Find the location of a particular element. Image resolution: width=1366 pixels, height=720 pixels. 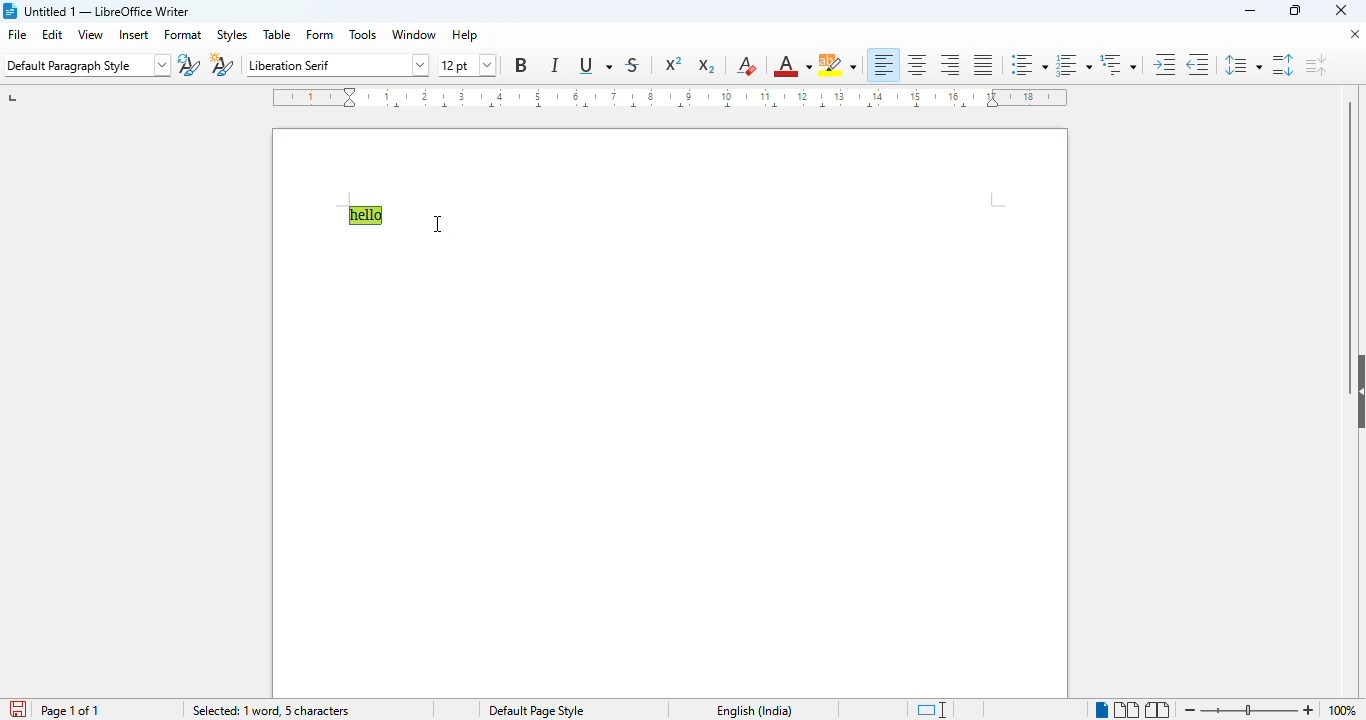

bold is located at coordinates (521, 65).